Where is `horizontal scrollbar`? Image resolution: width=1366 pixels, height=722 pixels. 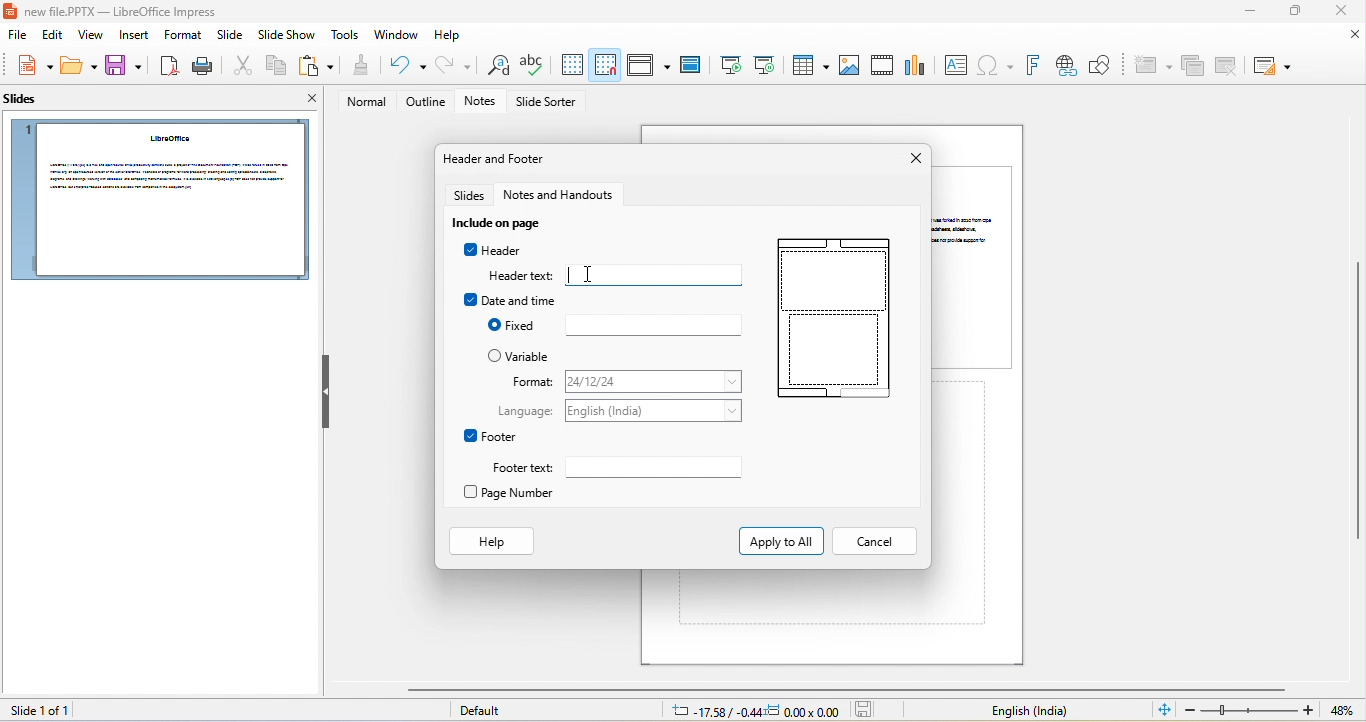 horizontal scrollbar is located at coordinates (845, 689).